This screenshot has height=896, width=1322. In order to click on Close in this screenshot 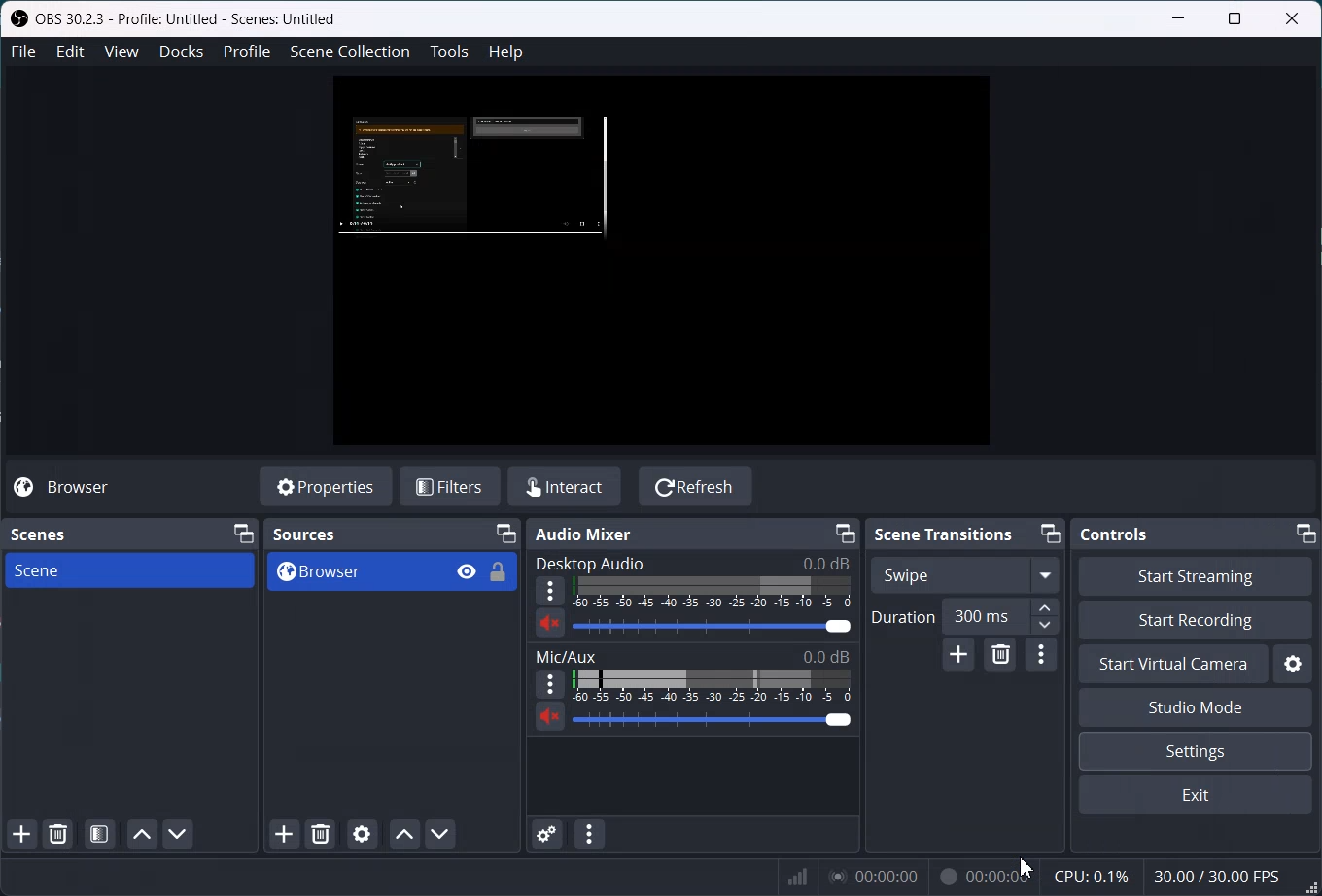, I will do `click(1292, 18)`.